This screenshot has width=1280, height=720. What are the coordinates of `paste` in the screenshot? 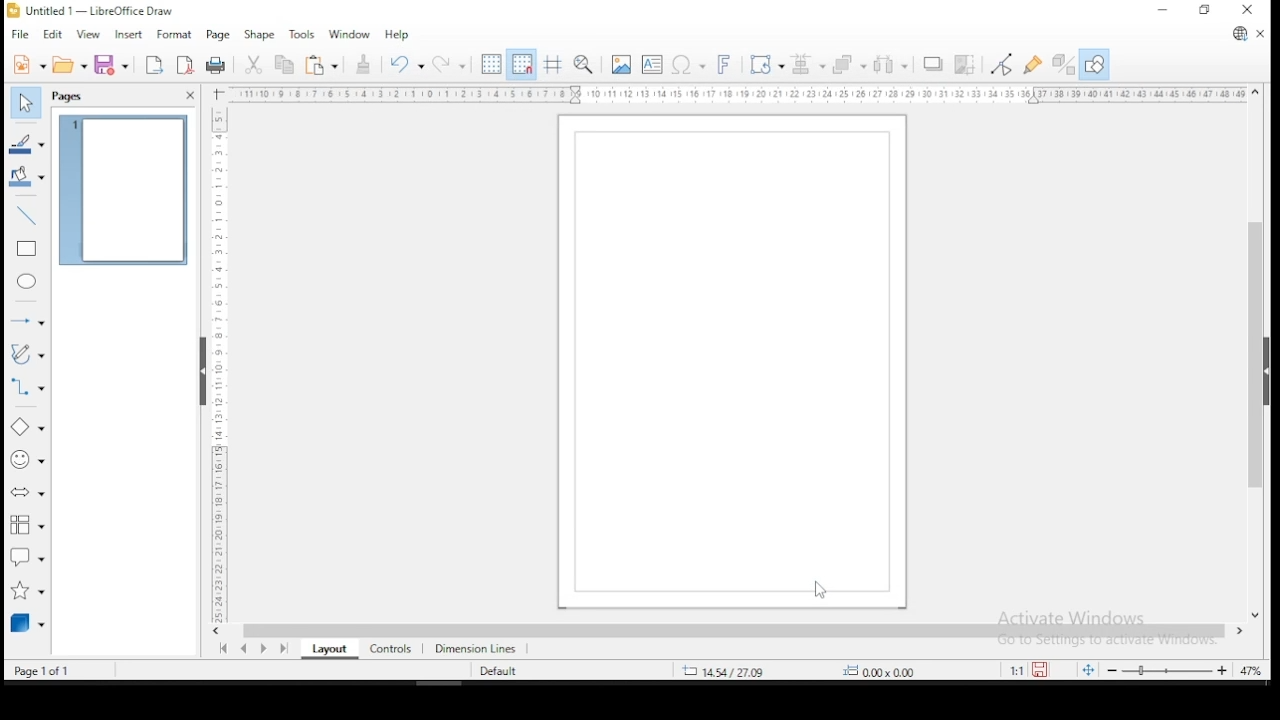 It's located at (322, 67).